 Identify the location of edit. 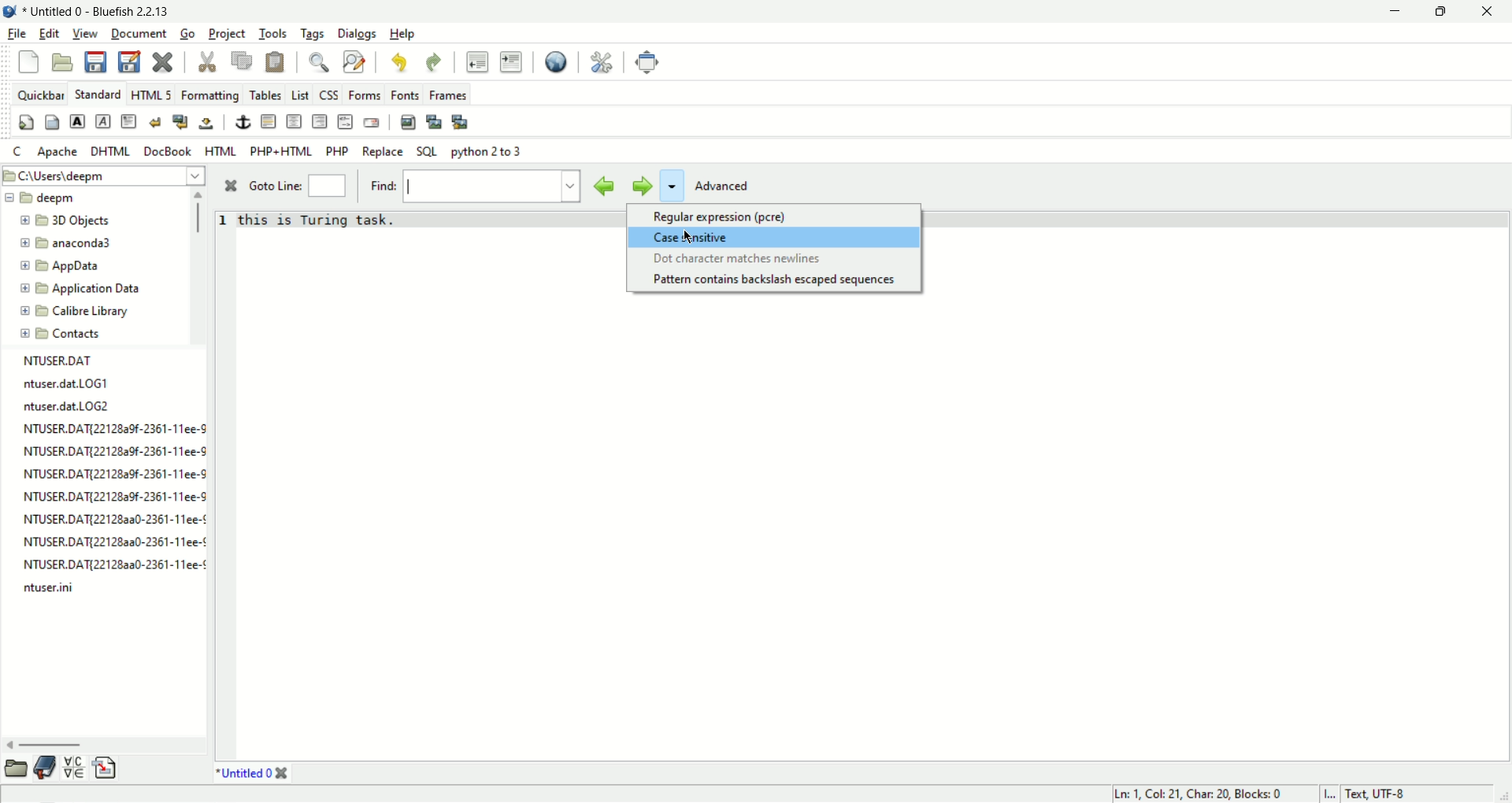
(46, 34).